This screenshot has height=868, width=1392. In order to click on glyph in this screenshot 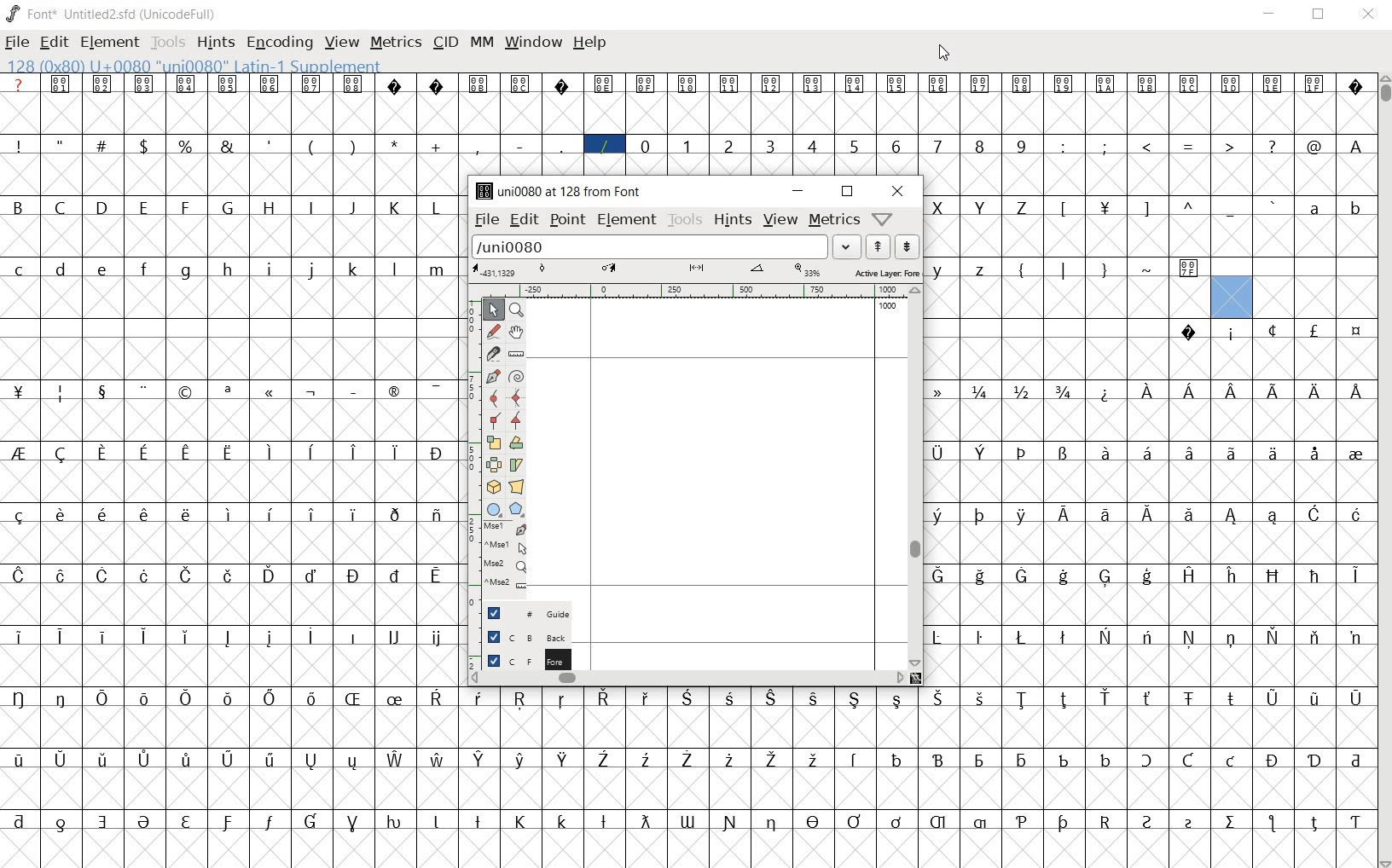, I will do `click(311, 452)`.